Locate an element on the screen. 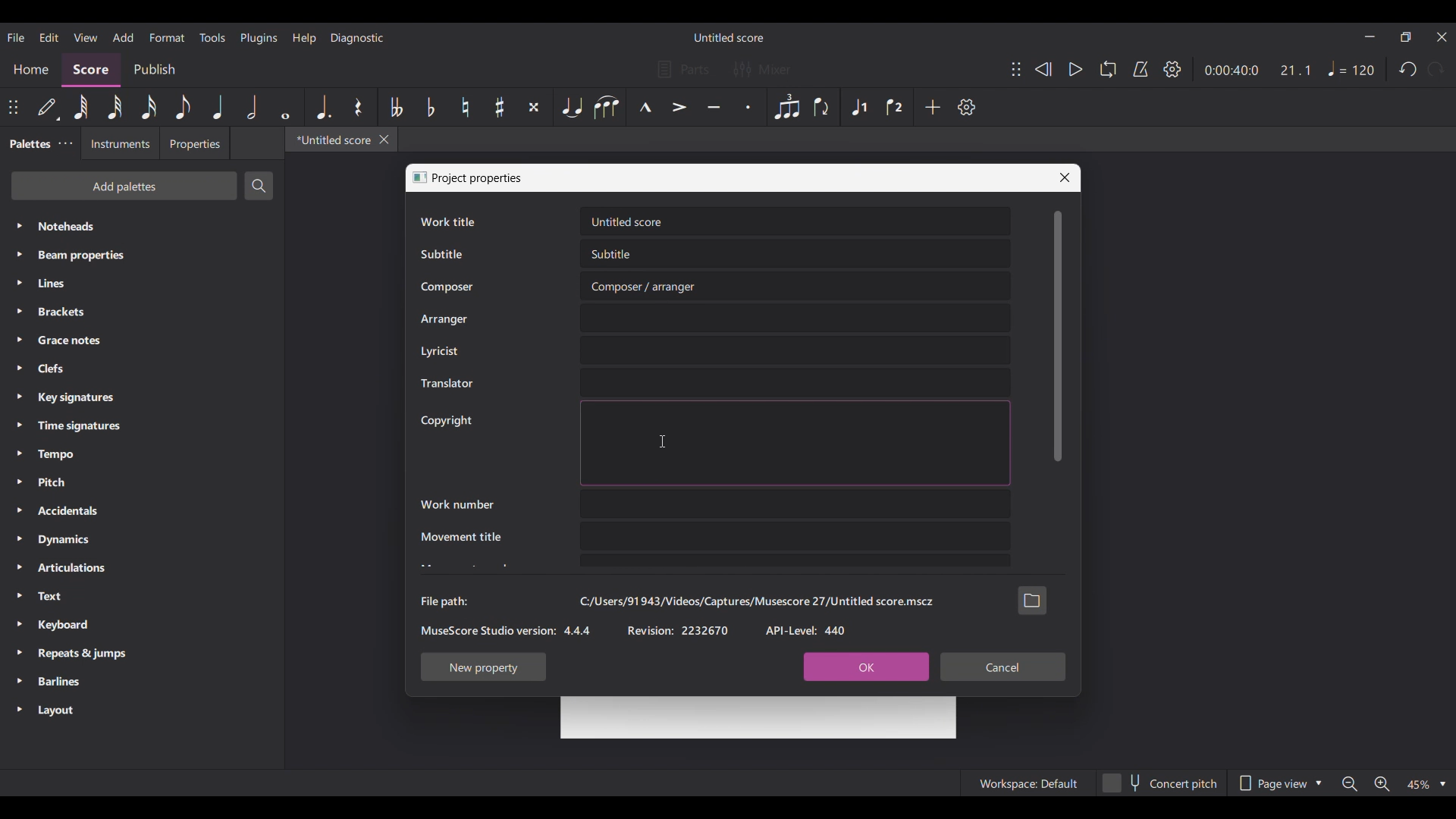 The height and width of the screenshot is (819, 1456). Layout is located at coordinates (142, 711).